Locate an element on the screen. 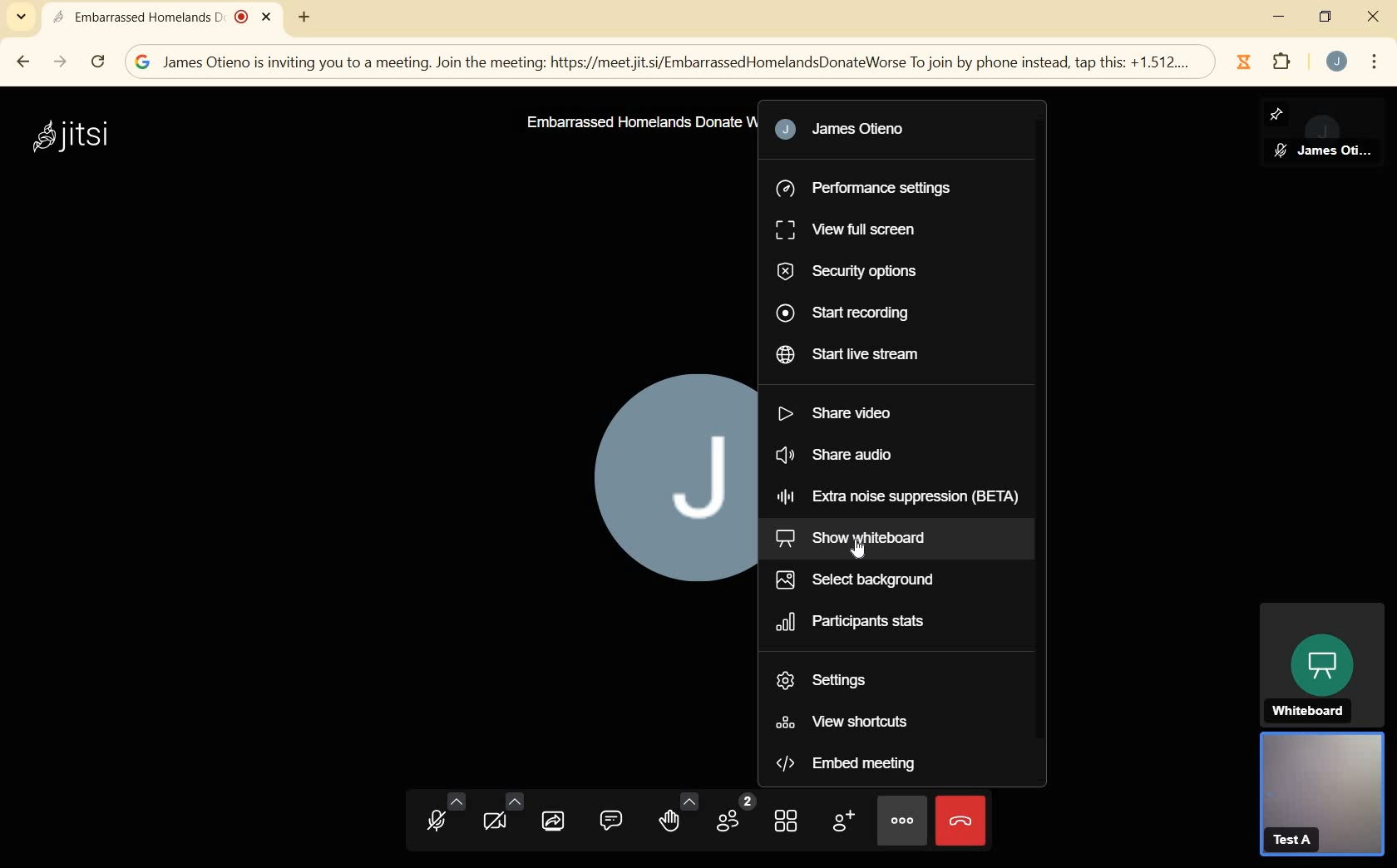 Image resolution: width=1397 pixels, height=868 pixels. account is located at coordinates (1337, 62).